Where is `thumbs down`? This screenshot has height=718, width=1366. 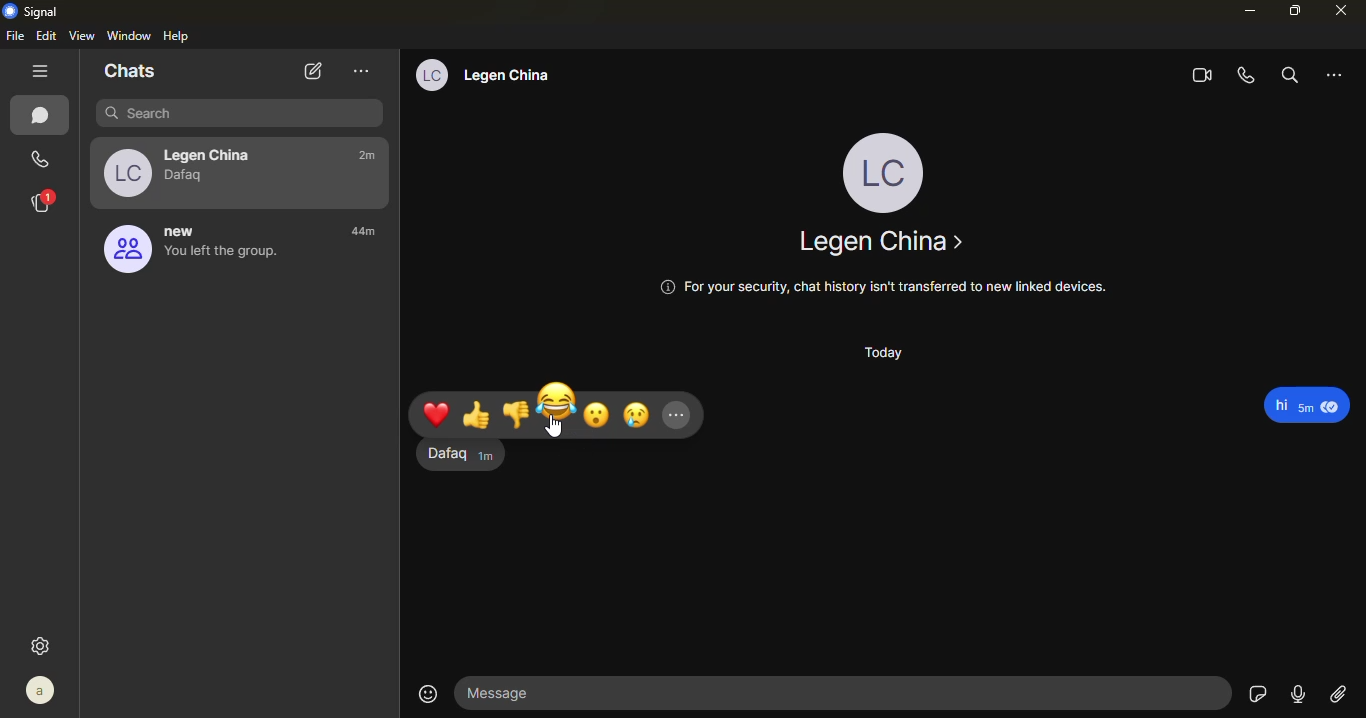
thumbs down is located at coordinates (516, 413).